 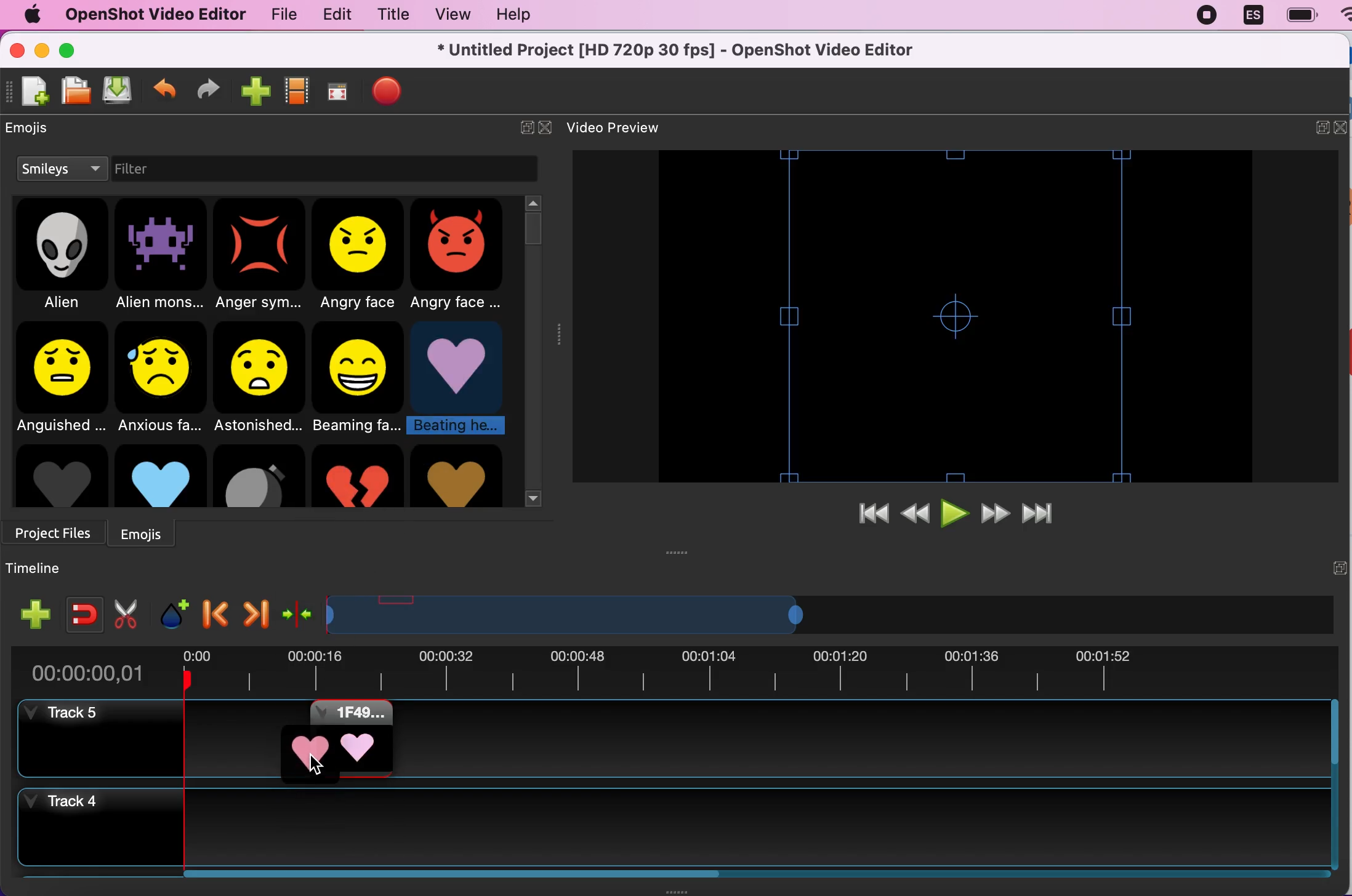 I want to click on Blue heart, so click(x=160, y=475).